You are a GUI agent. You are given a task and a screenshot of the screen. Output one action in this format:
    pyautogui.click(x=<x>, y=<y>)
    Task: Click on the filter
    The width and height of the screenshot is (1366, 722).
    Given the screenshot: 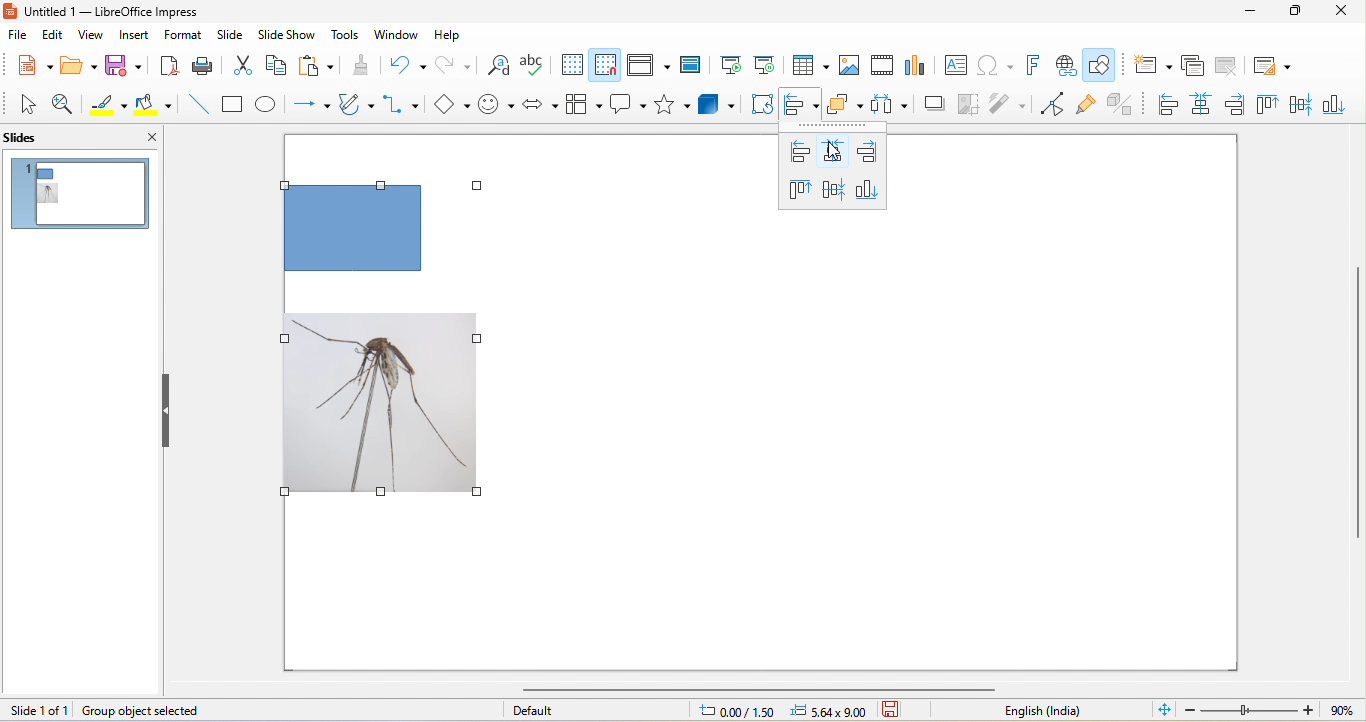 What is the action you would take?
    pyautogui.click(x=1008, y=106)
    